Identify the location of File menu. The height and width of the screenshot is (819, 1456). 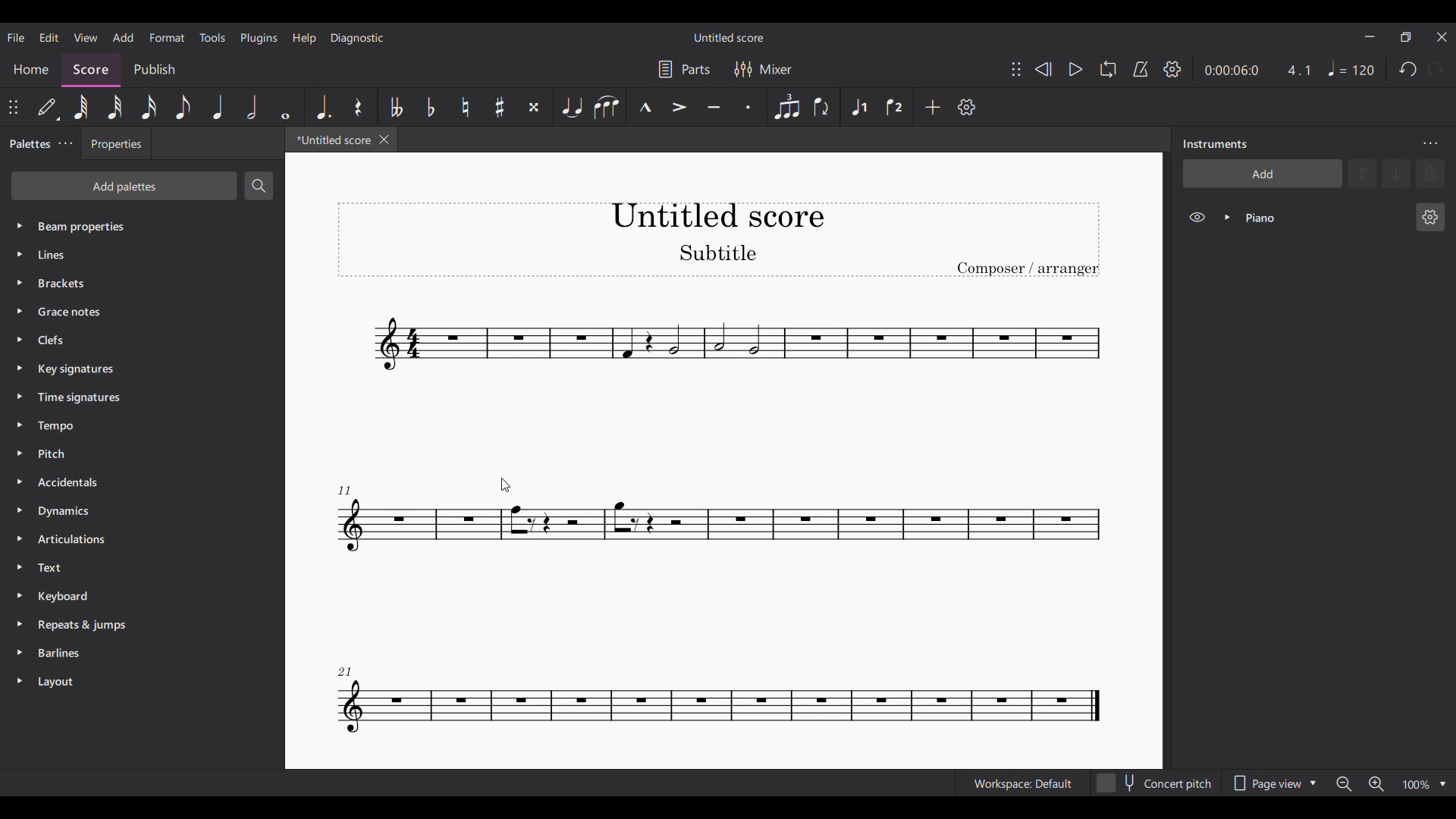
(15, 37).